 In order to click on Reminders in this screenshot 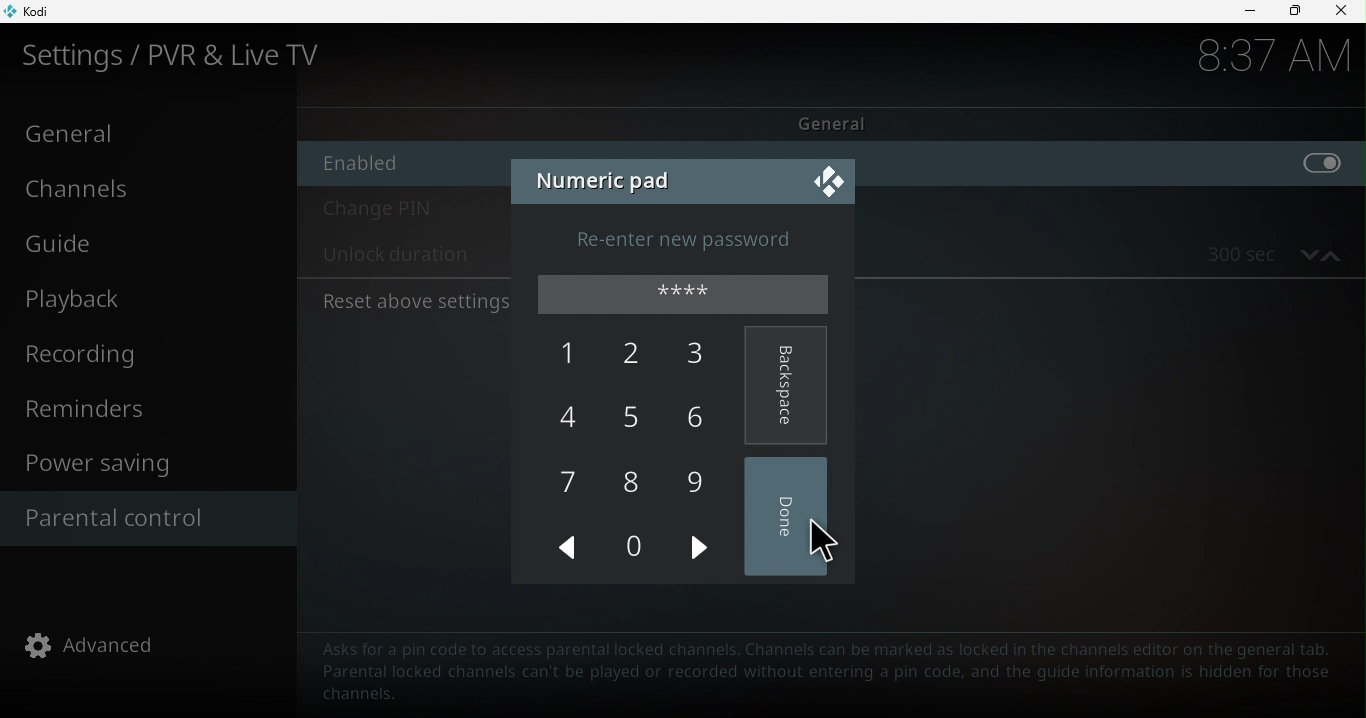, I will do `click(152, 412)`.